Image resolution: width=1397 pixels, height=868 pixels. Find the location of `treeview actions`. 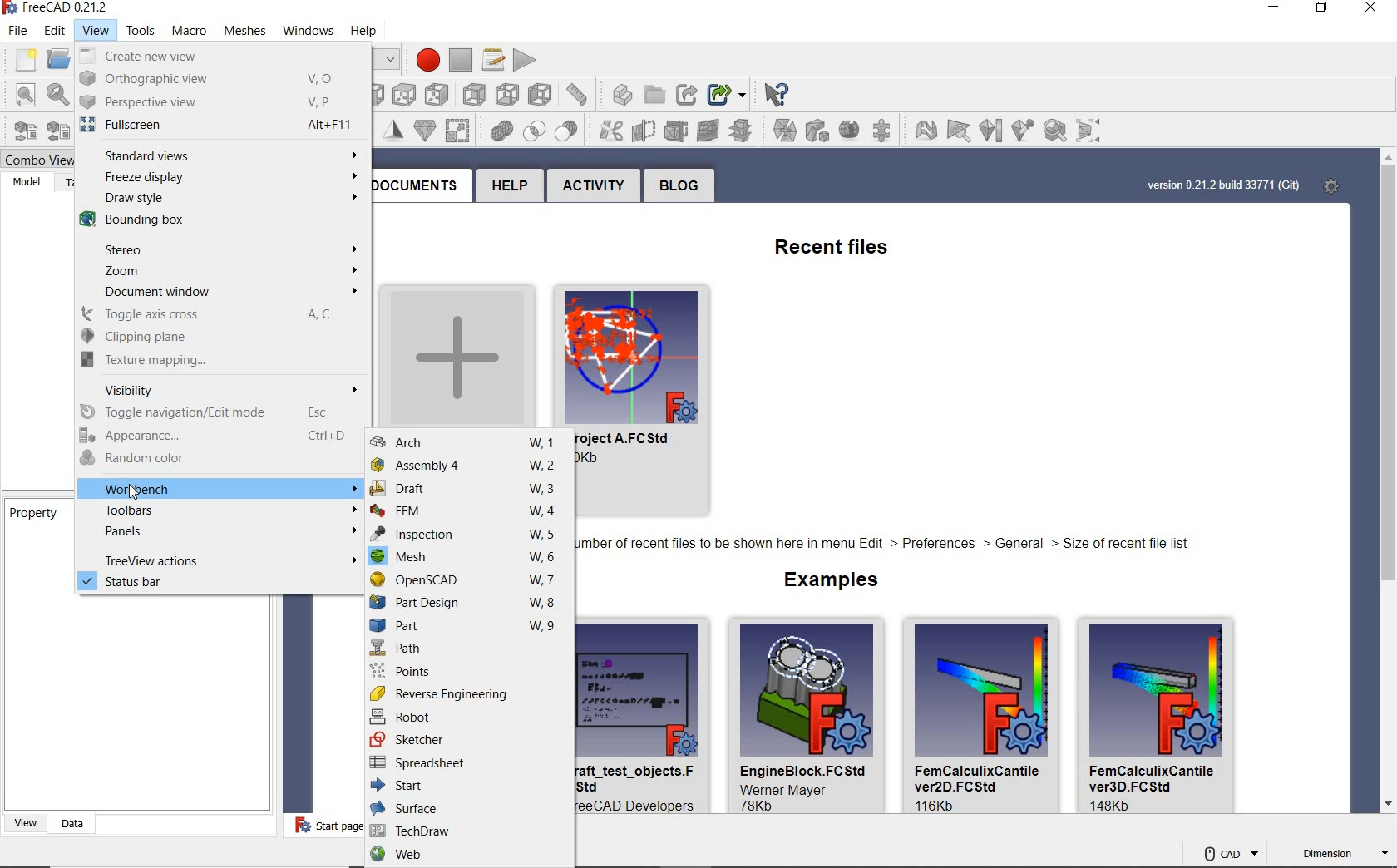

treeview actions is located at coordinates (220, 559).